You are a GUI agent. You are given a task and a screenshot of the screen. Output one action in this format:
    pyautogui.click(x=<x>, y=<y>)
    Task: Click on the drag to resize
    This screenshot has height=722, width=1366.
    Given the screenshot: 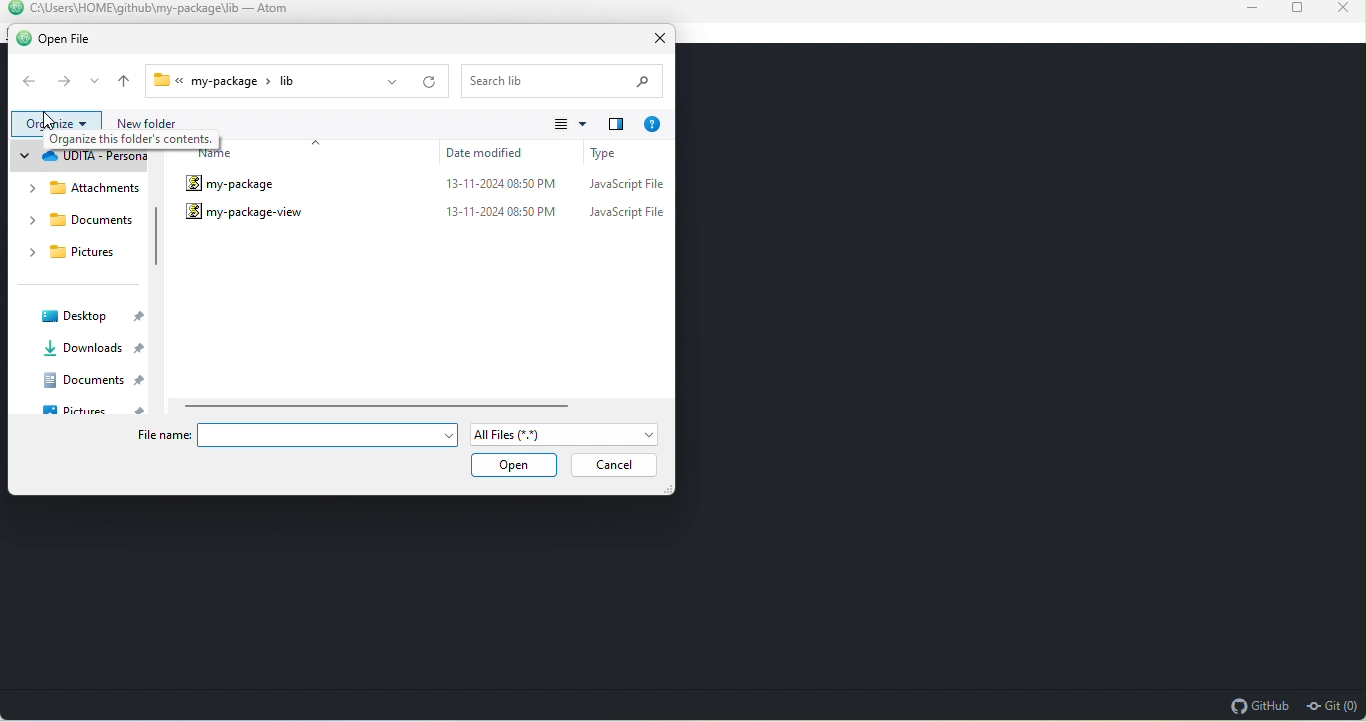 What is the action you would take?
    pyautogui.click(x=666, y=490)
    